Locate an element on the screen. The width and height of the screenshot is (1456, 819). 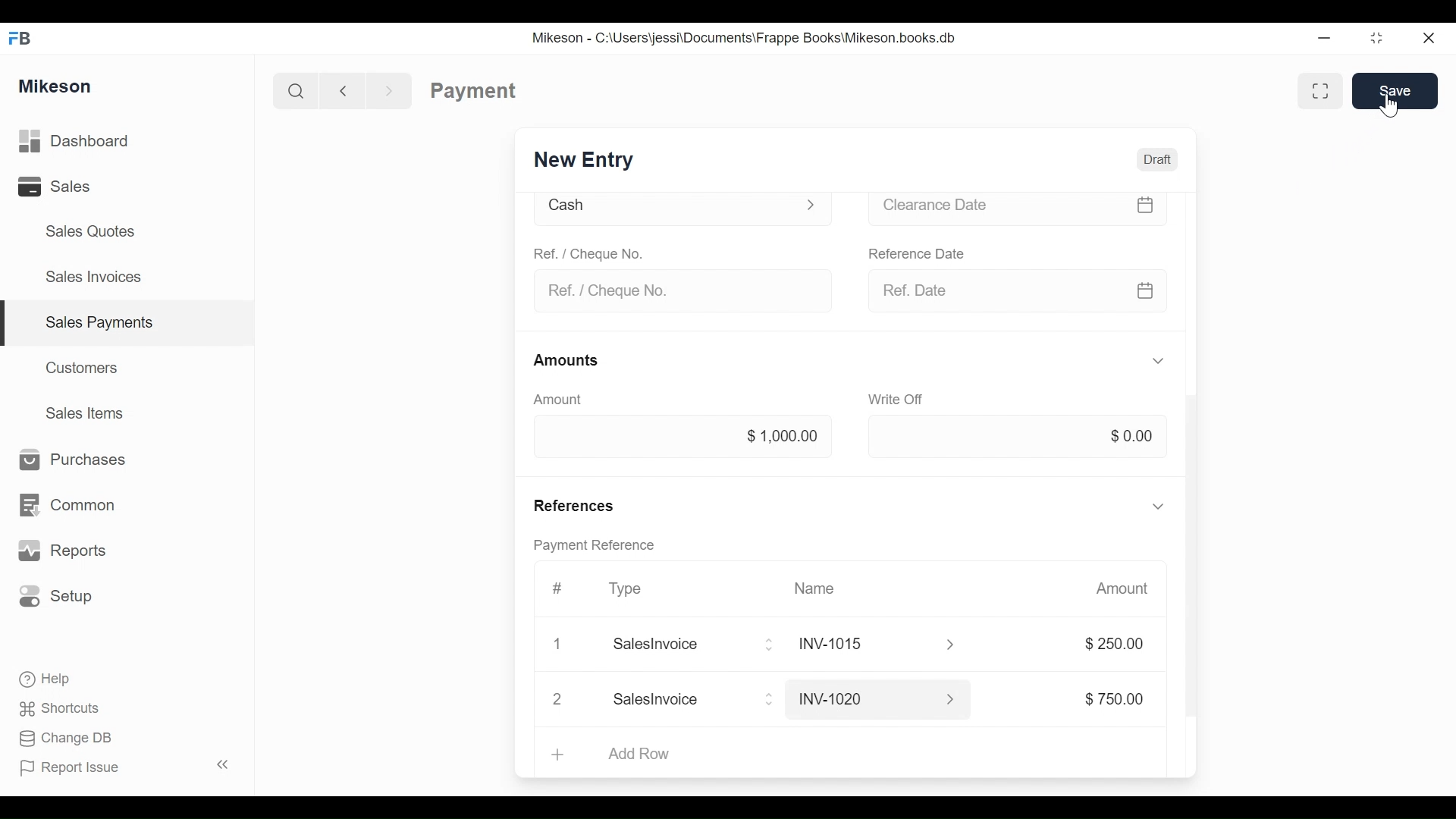
Sales is located at coordinates (53, 188).